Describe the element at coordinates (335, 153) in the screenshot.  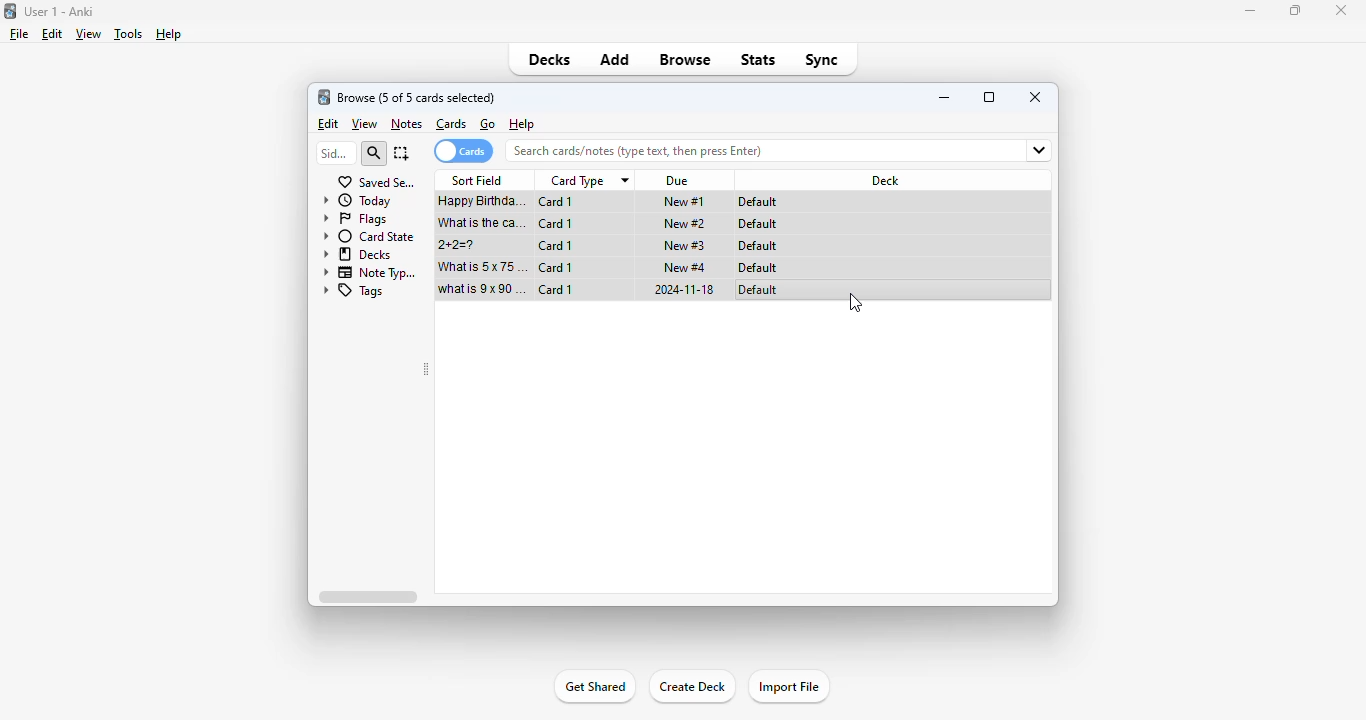
I see `sidebar filter` at that location.